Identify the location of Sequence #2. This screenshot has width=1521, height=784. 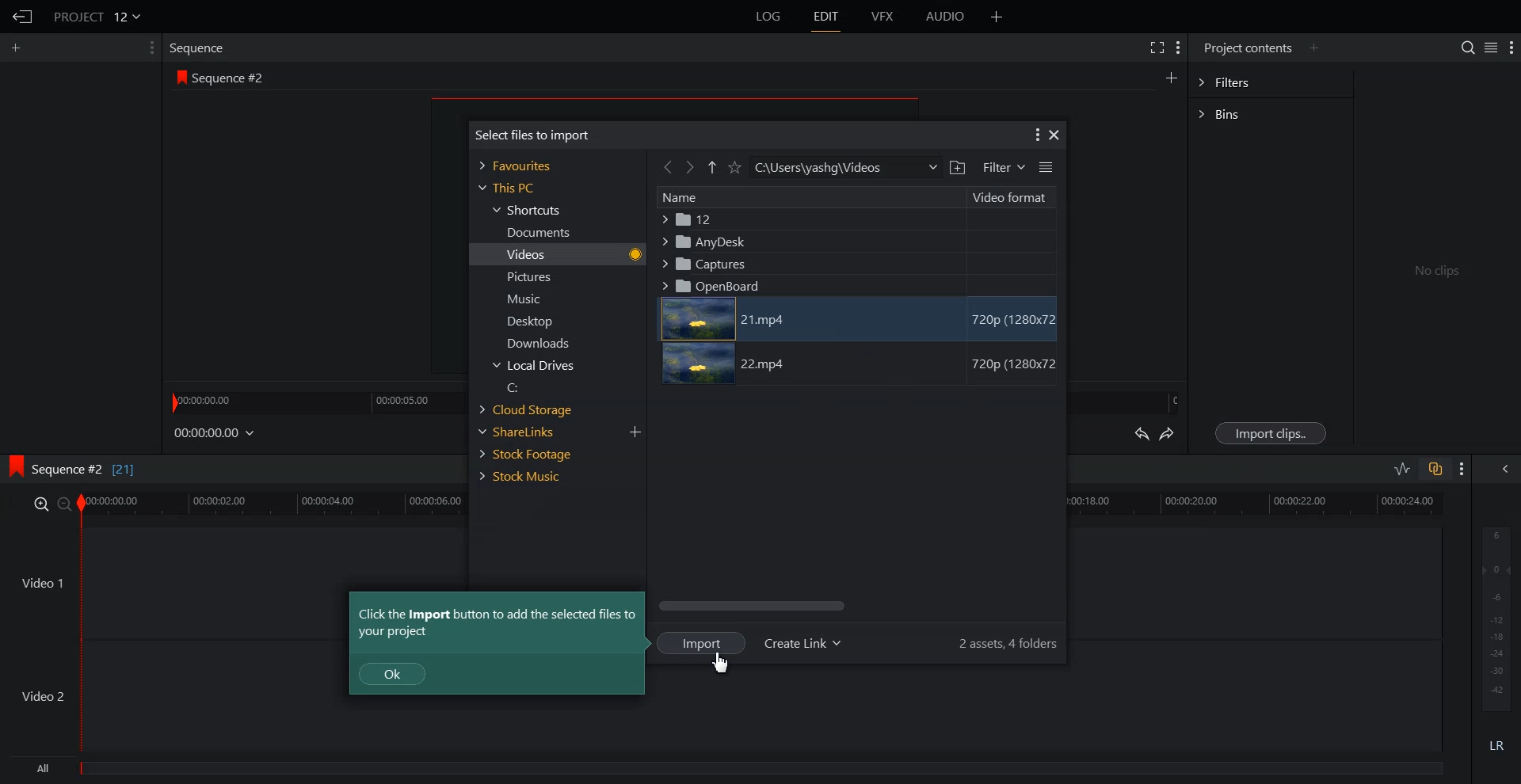
(235, 76).